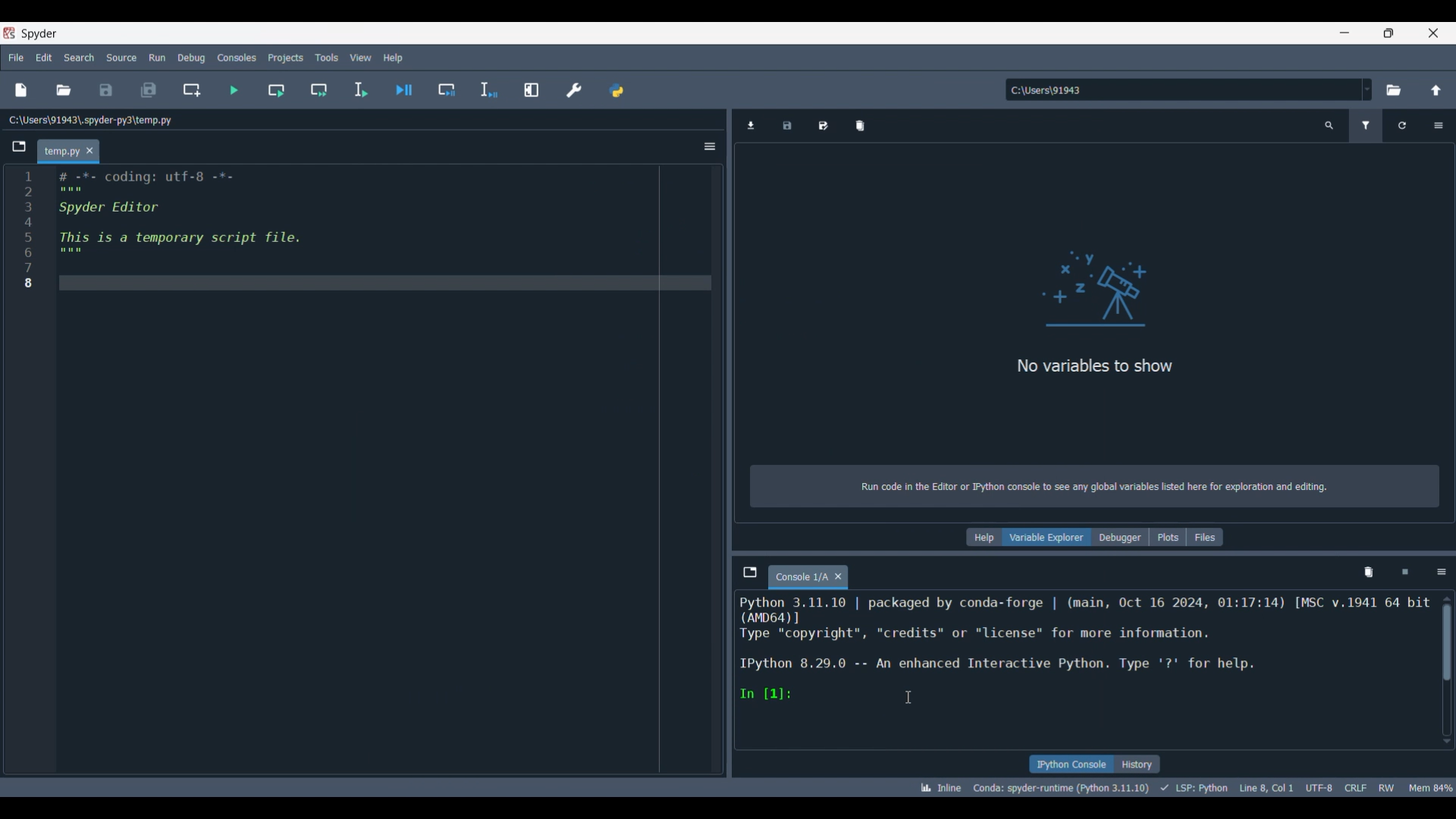 This screenshot has height=819, width=1456. I want to click on Open file, so click(63, 90).